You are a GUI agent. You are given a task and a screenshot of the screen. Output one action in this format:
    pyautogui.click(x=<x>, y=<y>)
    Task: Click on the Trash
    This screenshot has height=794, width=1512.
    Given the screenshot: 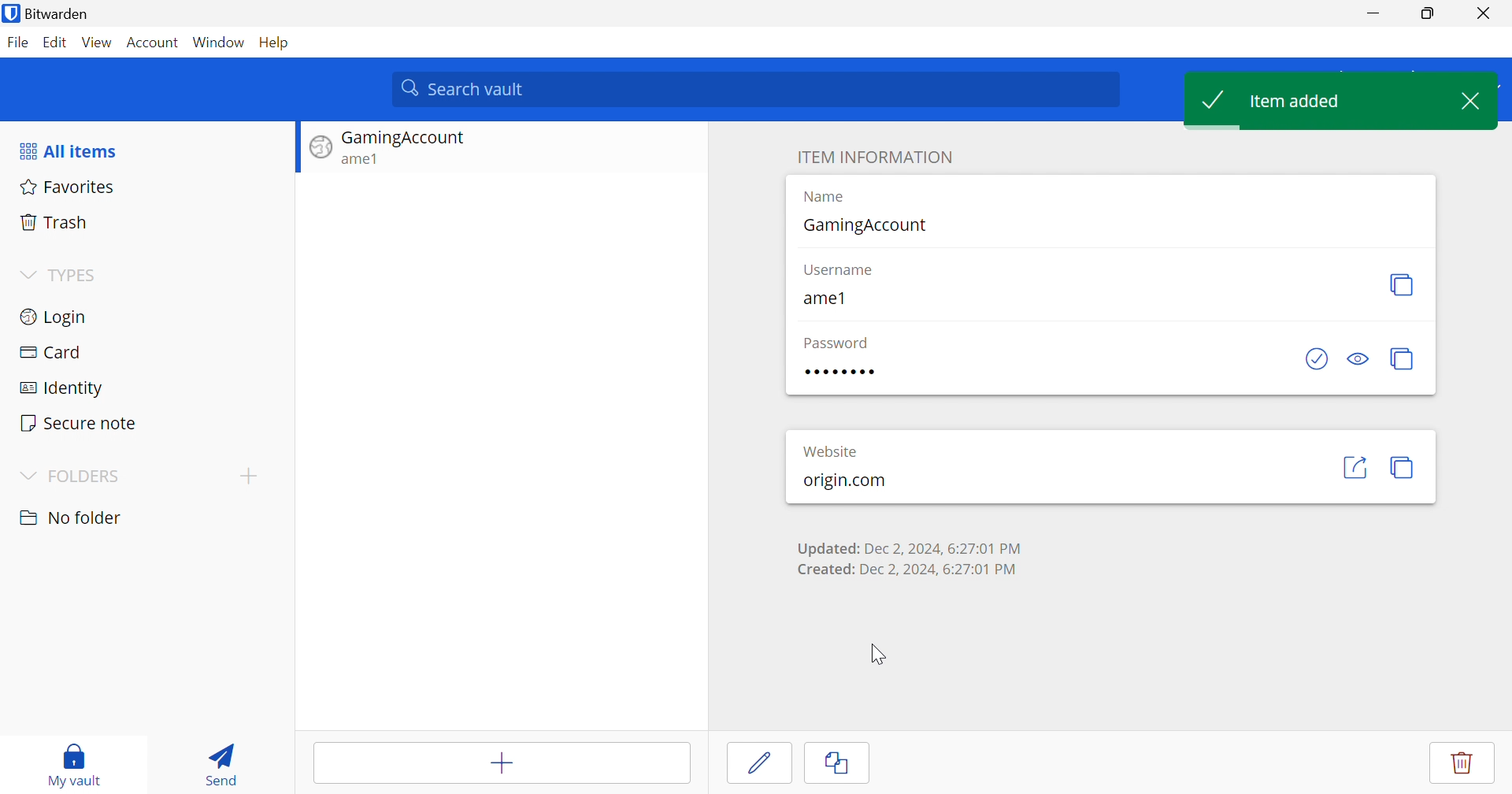 What is the action you would take?
    pyautogui.click(x=59, y=224)
    